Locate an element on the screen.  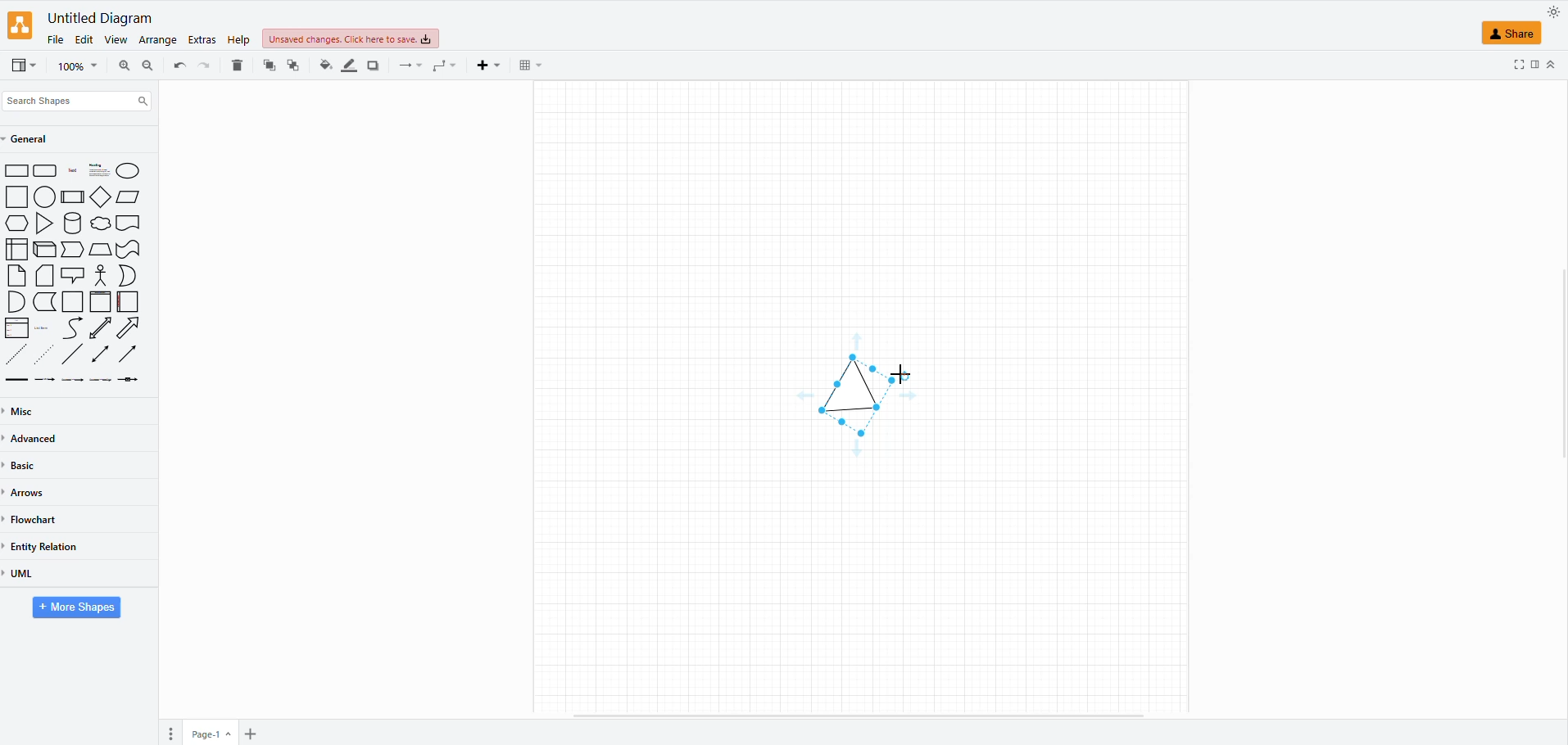
Header is located at coordinates (101, 302).